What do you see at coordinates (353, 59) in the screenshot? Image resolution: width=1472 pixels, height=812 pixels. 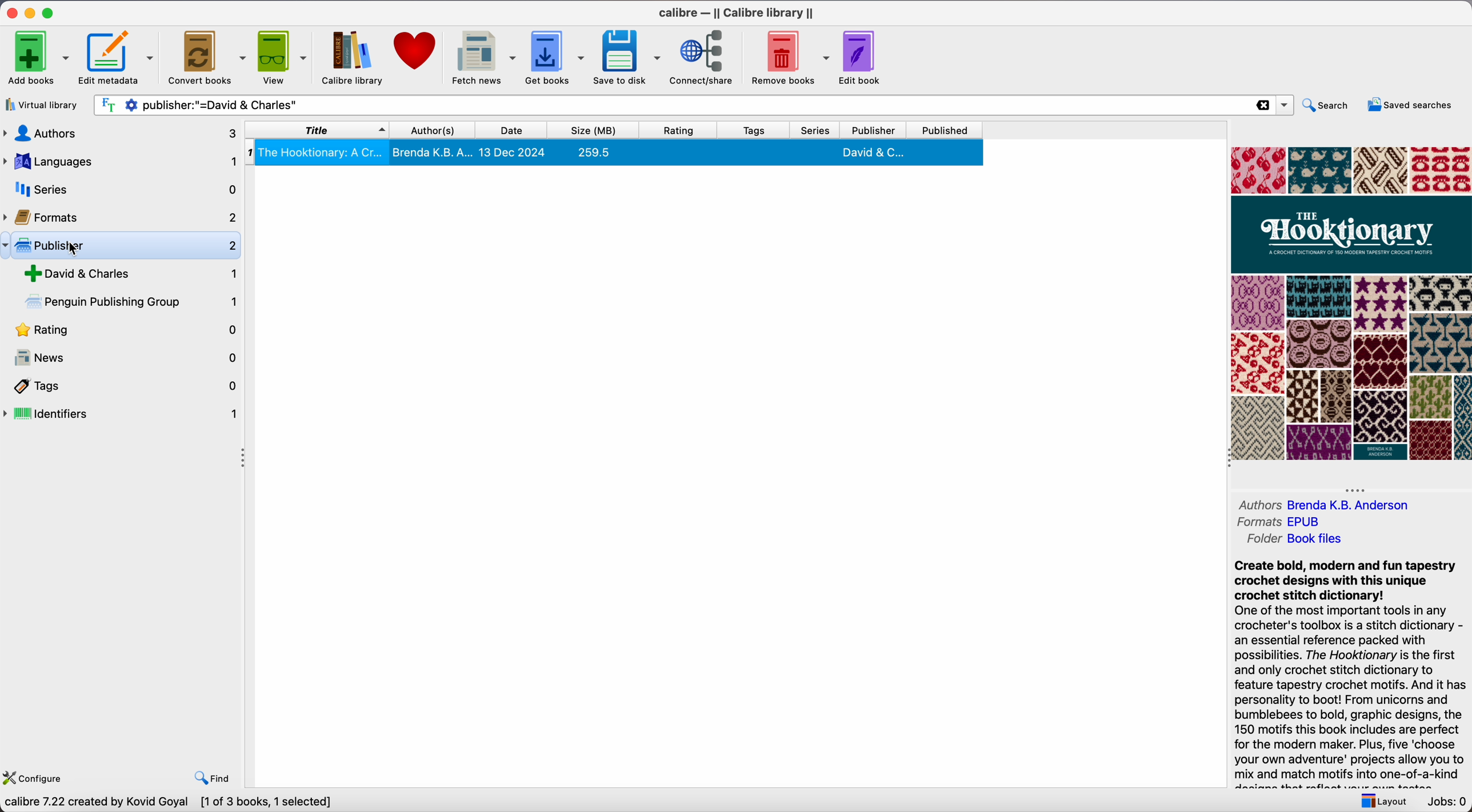 I see `Calibre library` at bounding box center [353, 59].